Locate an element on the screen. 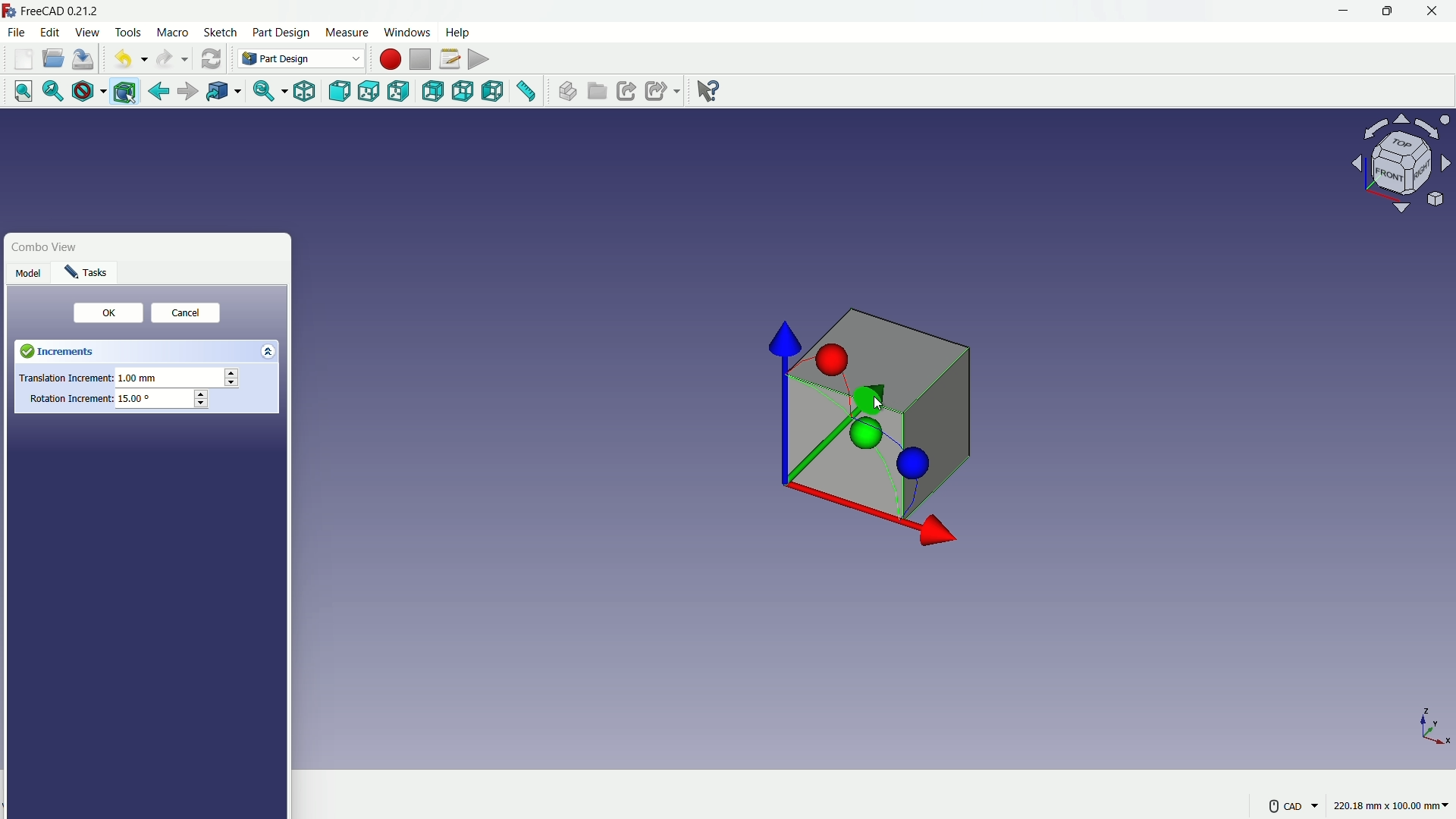 The image size is (1456, 819). tools is located at coordinates (130, 33).